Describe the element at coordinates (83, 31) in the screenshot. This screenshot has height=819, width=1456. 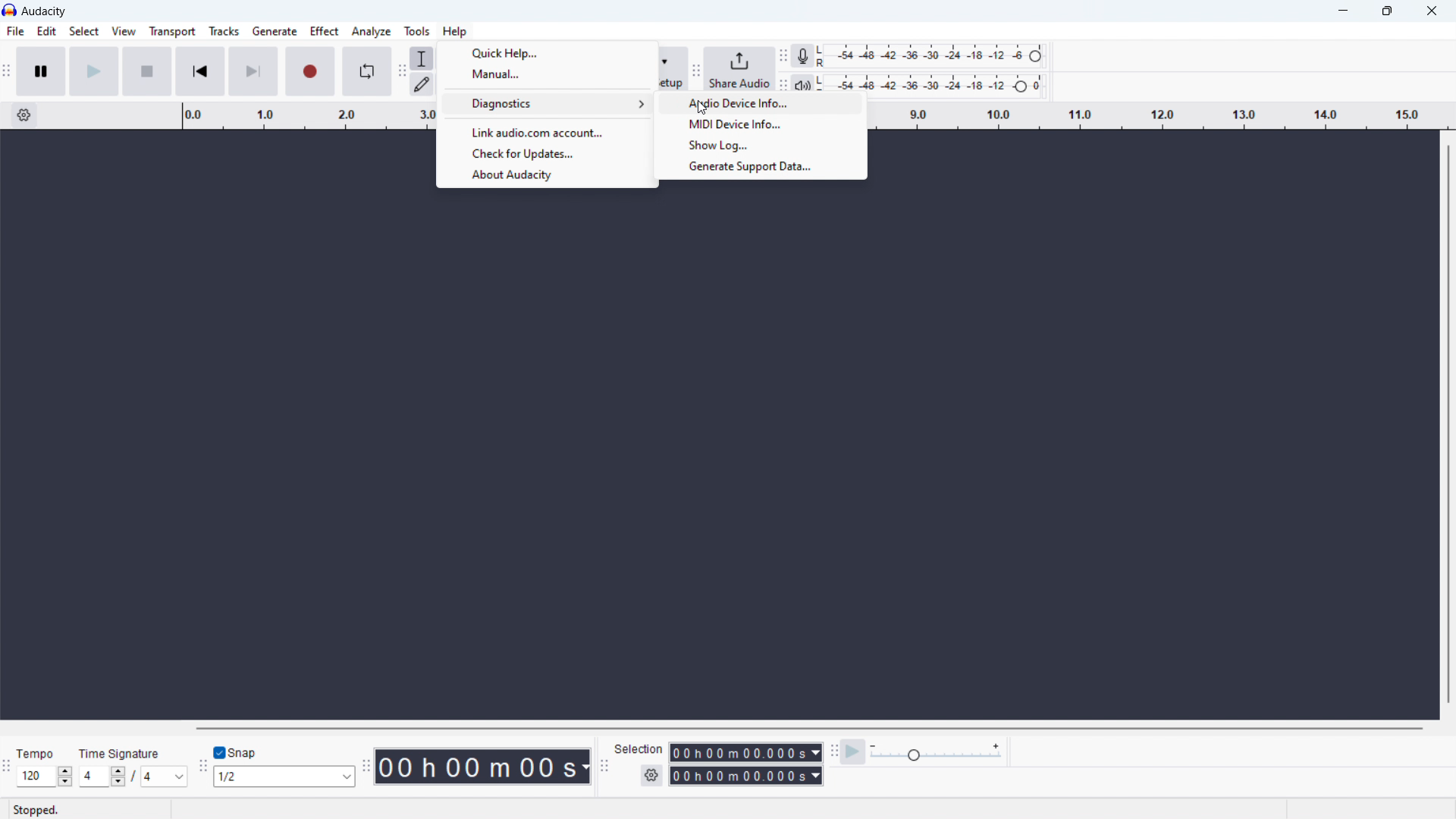
I see `select` at that location.